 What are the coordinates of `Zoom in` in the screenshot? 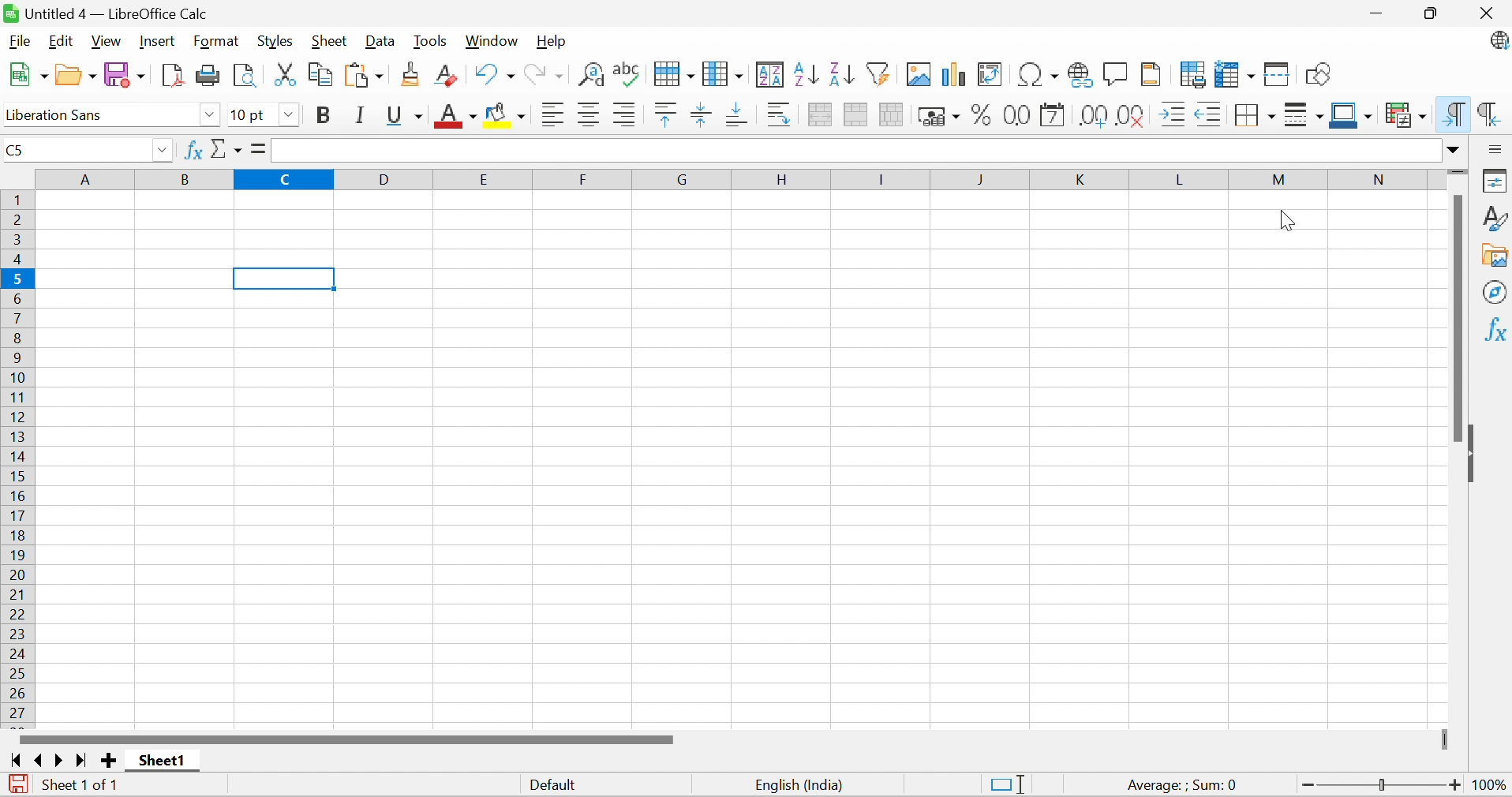 It's located at (1456, 784).